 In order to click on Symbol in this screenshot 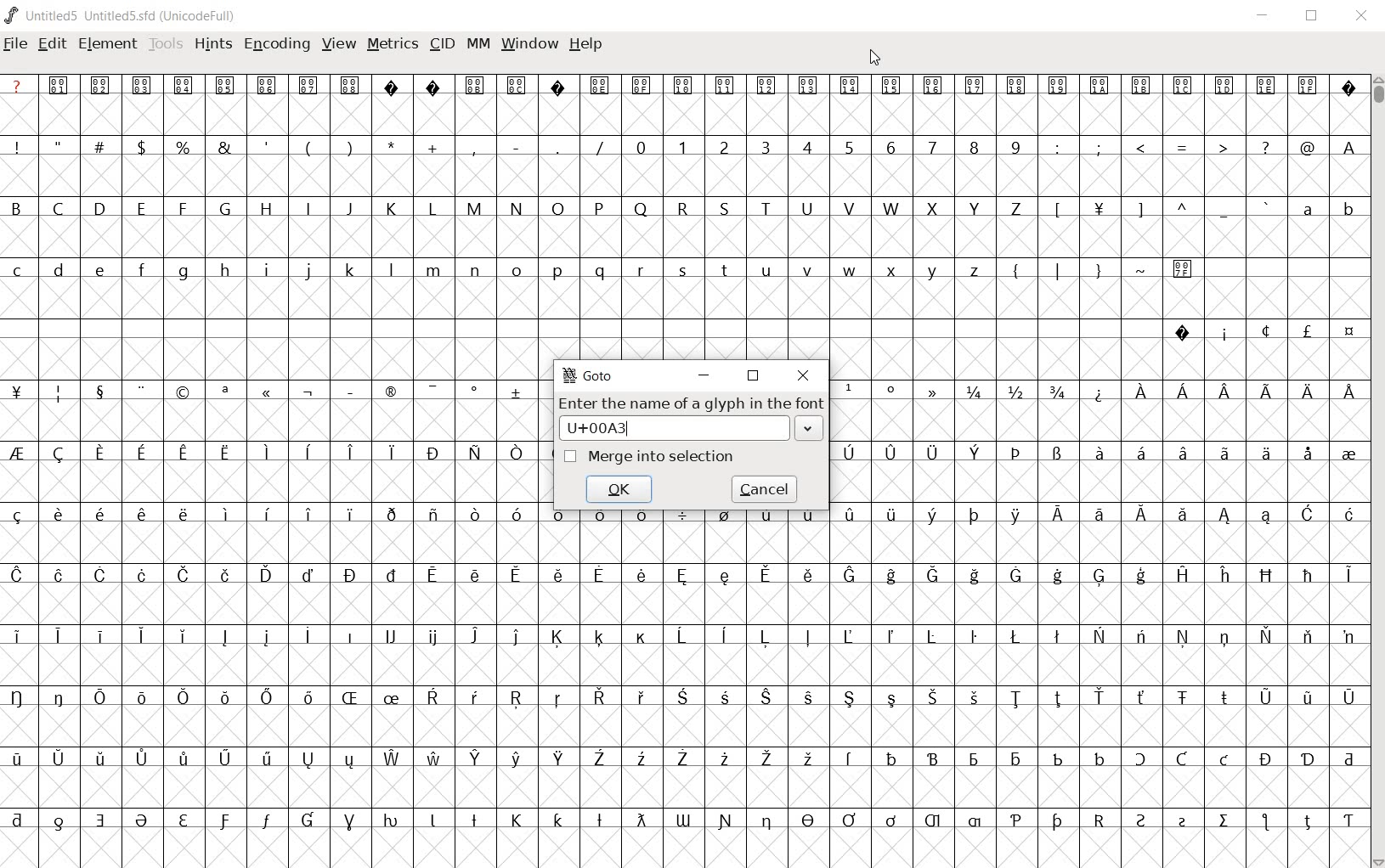, I will do `click(56, 516)`.